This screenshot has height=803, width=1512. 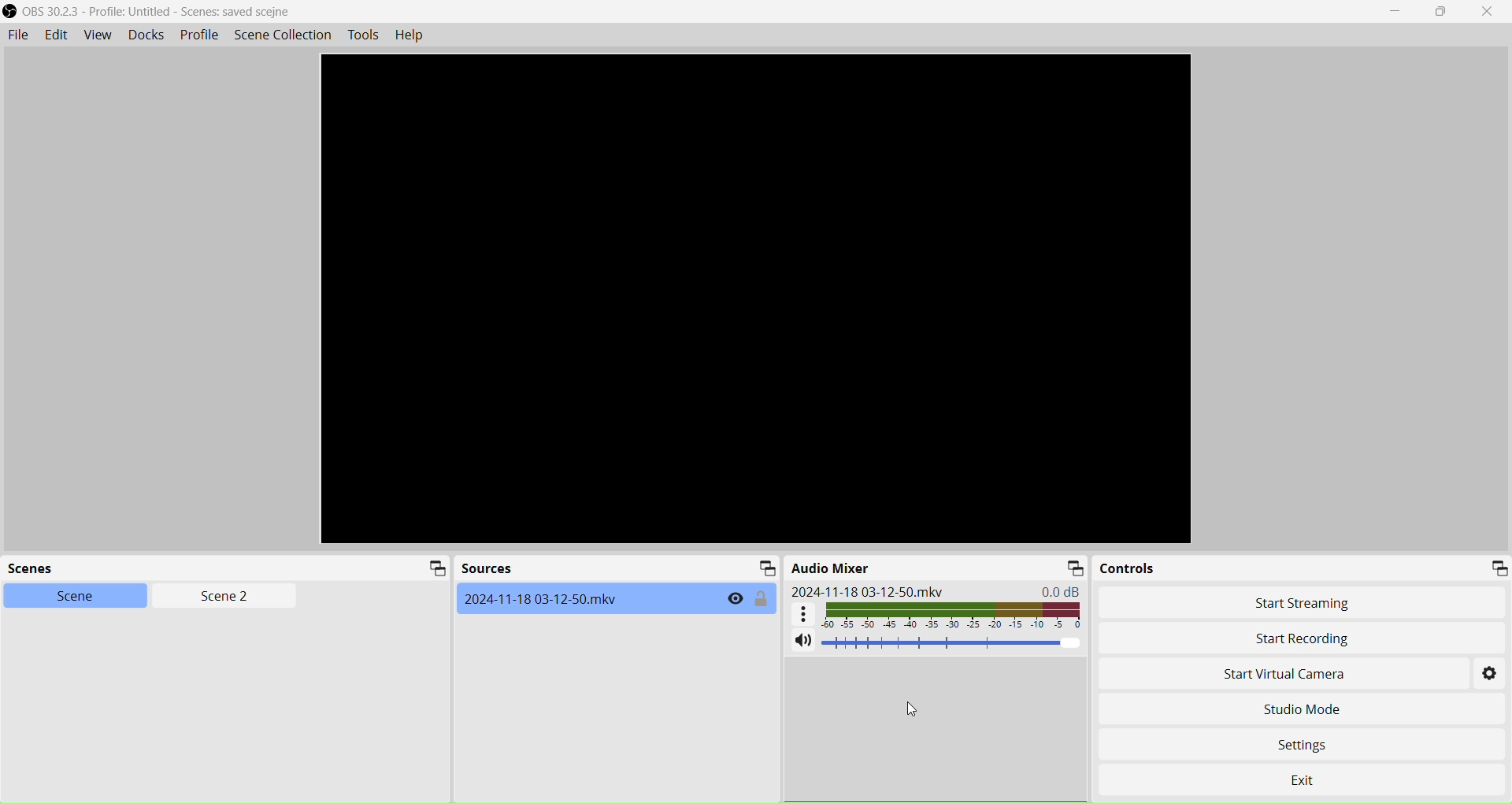 What do you see at coordinates (95, 35) in the screenshot?
I see `View` at bounding box center [95, 35].